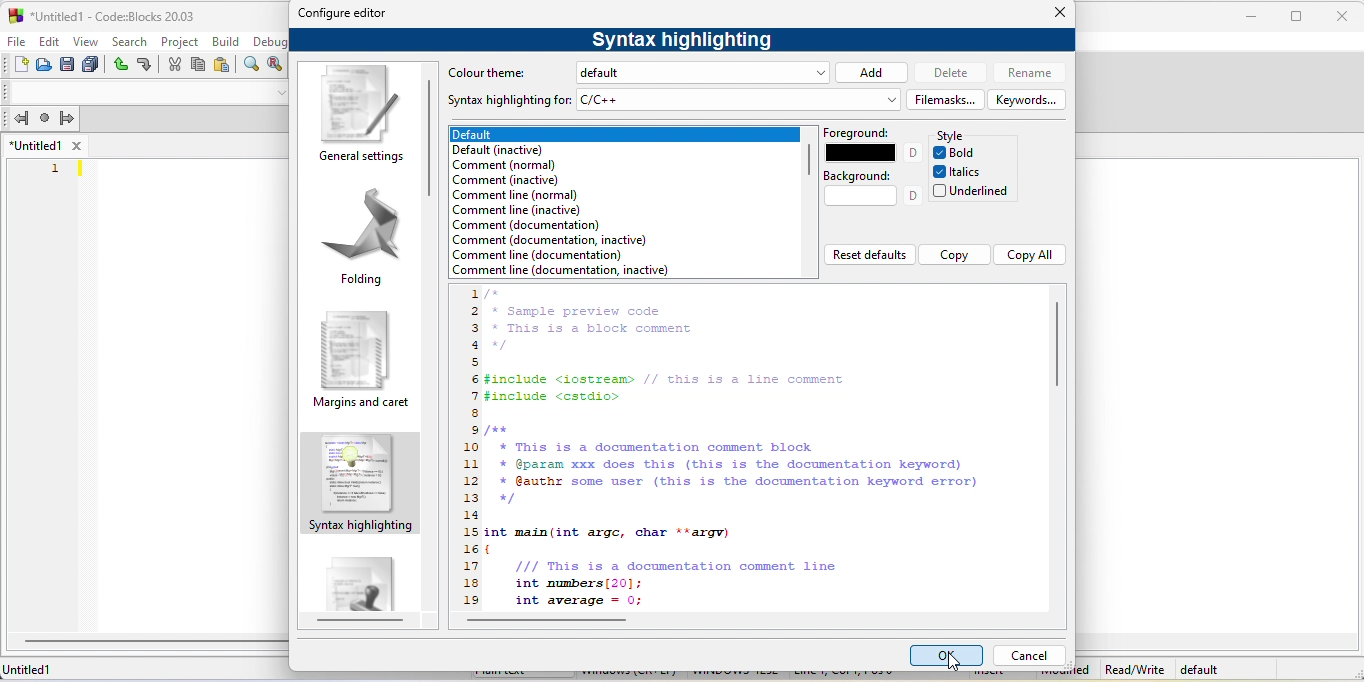 The width and height of the screenshot is (1364, 682). Describe the element at coordinates (359, 116) in the screenshot. I see `general settings` at that location.